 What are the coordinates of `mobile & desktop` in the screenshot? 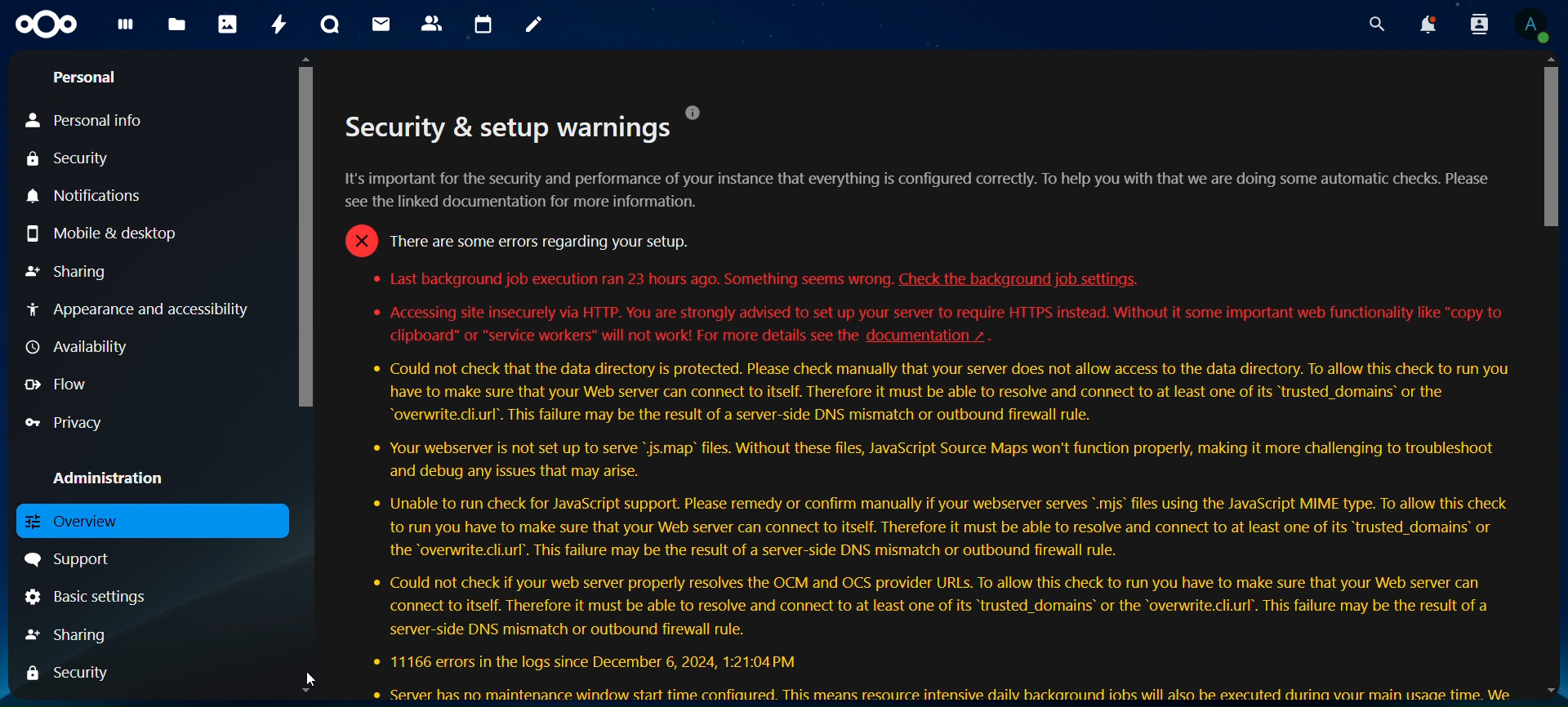 It's located at (108, 235).